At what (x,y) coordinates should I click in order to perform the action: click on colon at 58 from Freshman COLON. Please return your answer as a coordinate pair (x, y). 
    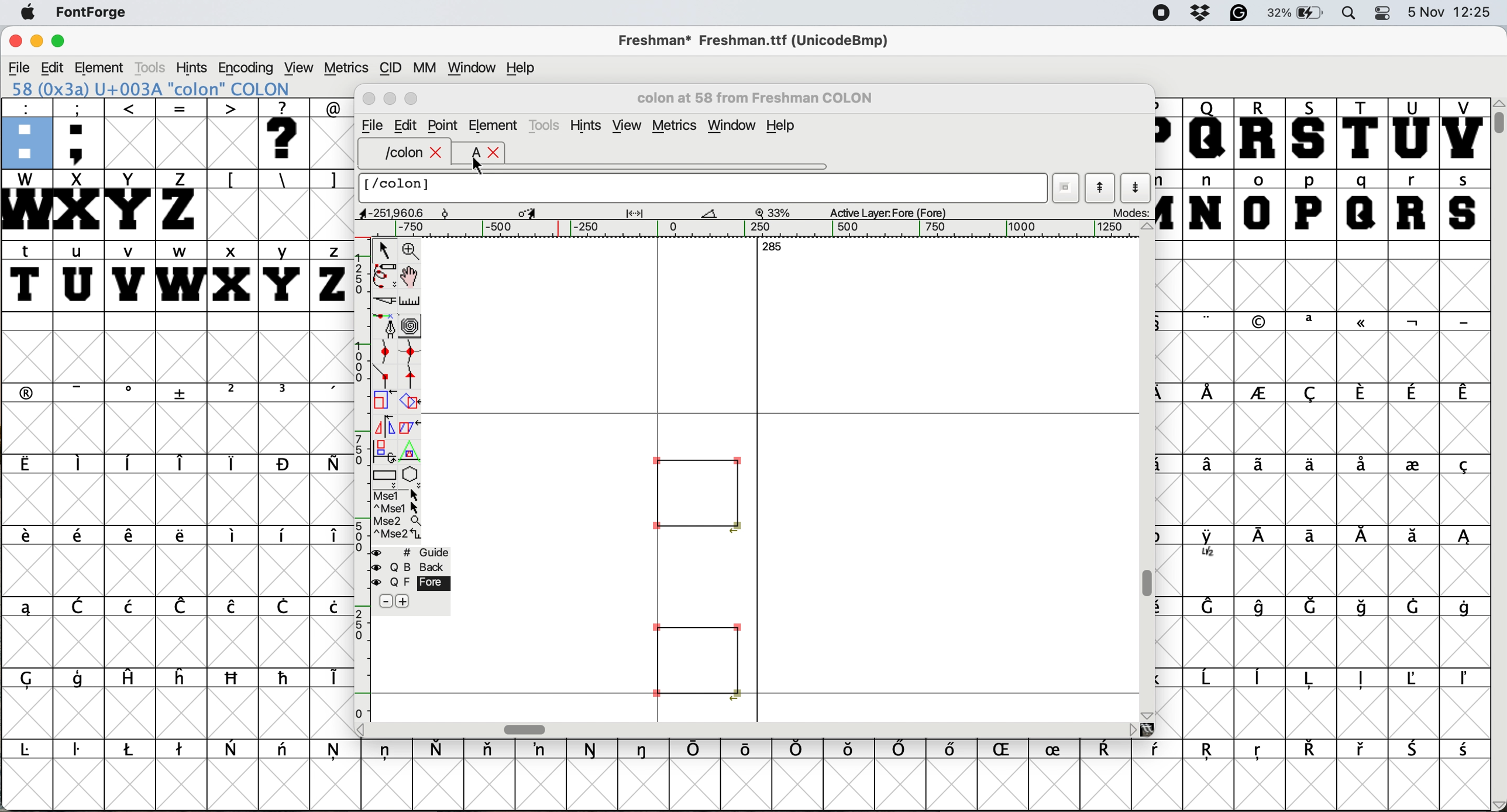
    Looking at the image, I should click on (765, 97).